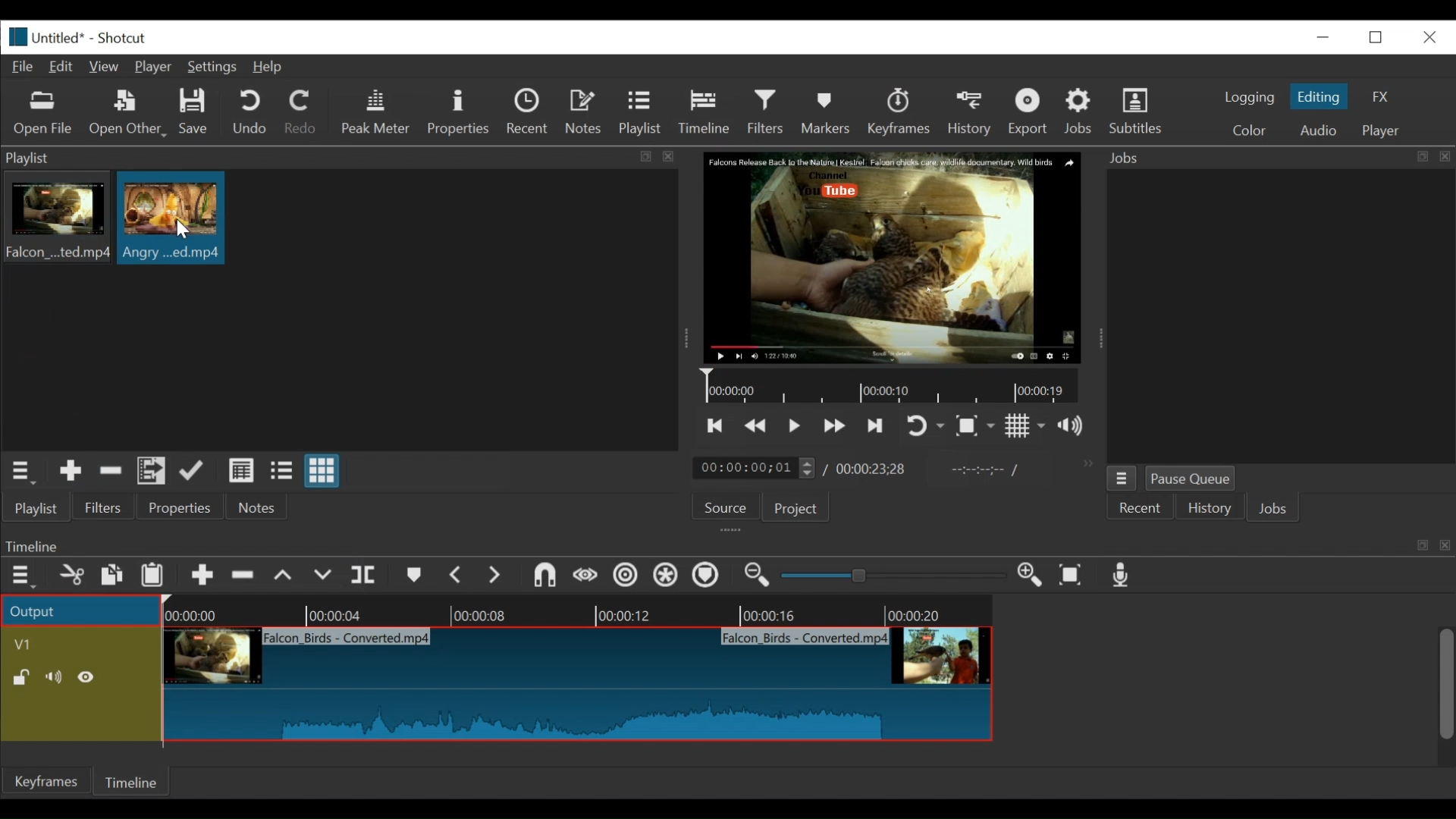  Describe the element at coordinates (1248, 132) in the screenshot. I see `color` at that location.